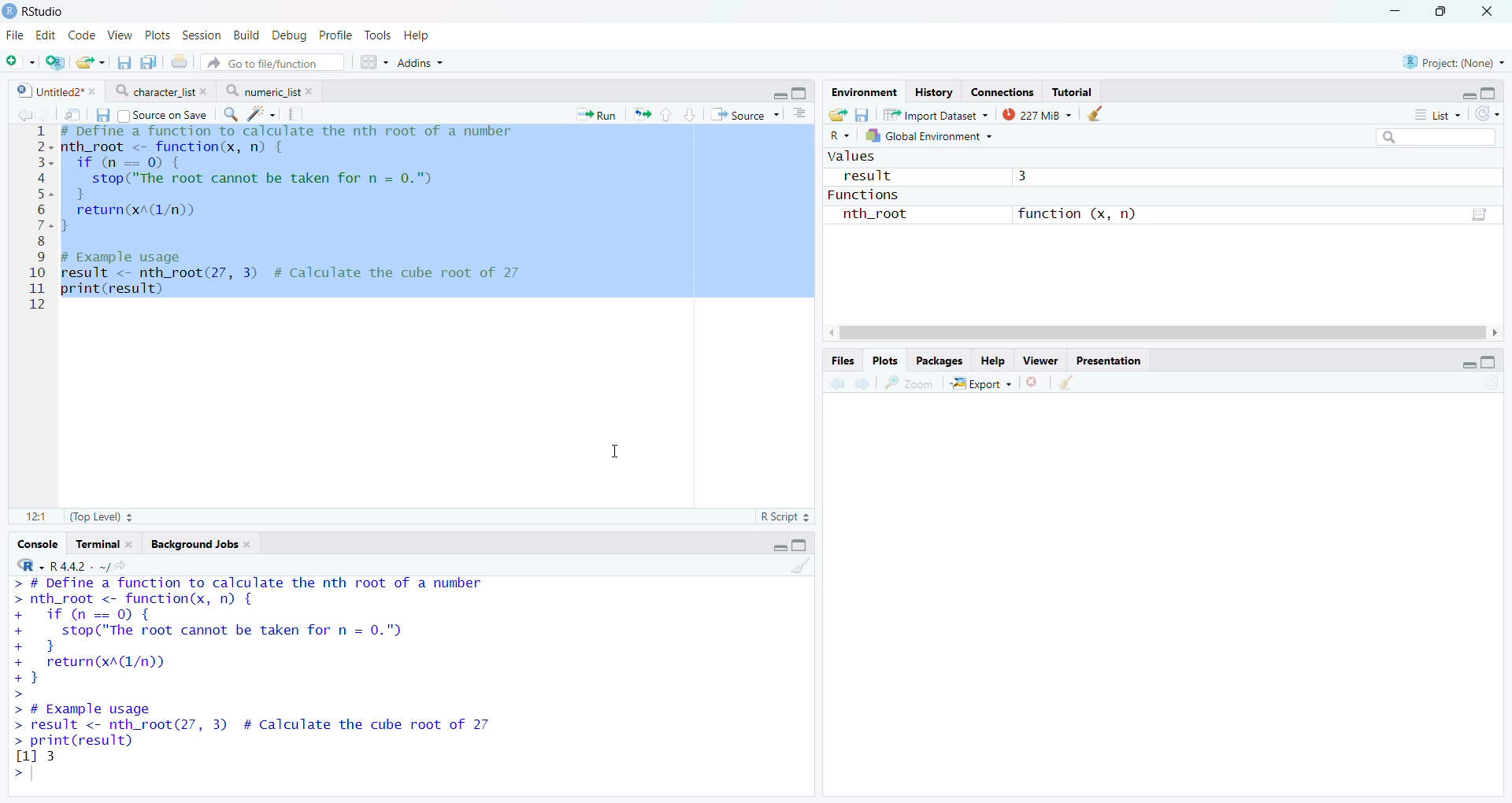 This screenshot has height=803, width=1512. I want to click on Source, so click(744, 114).